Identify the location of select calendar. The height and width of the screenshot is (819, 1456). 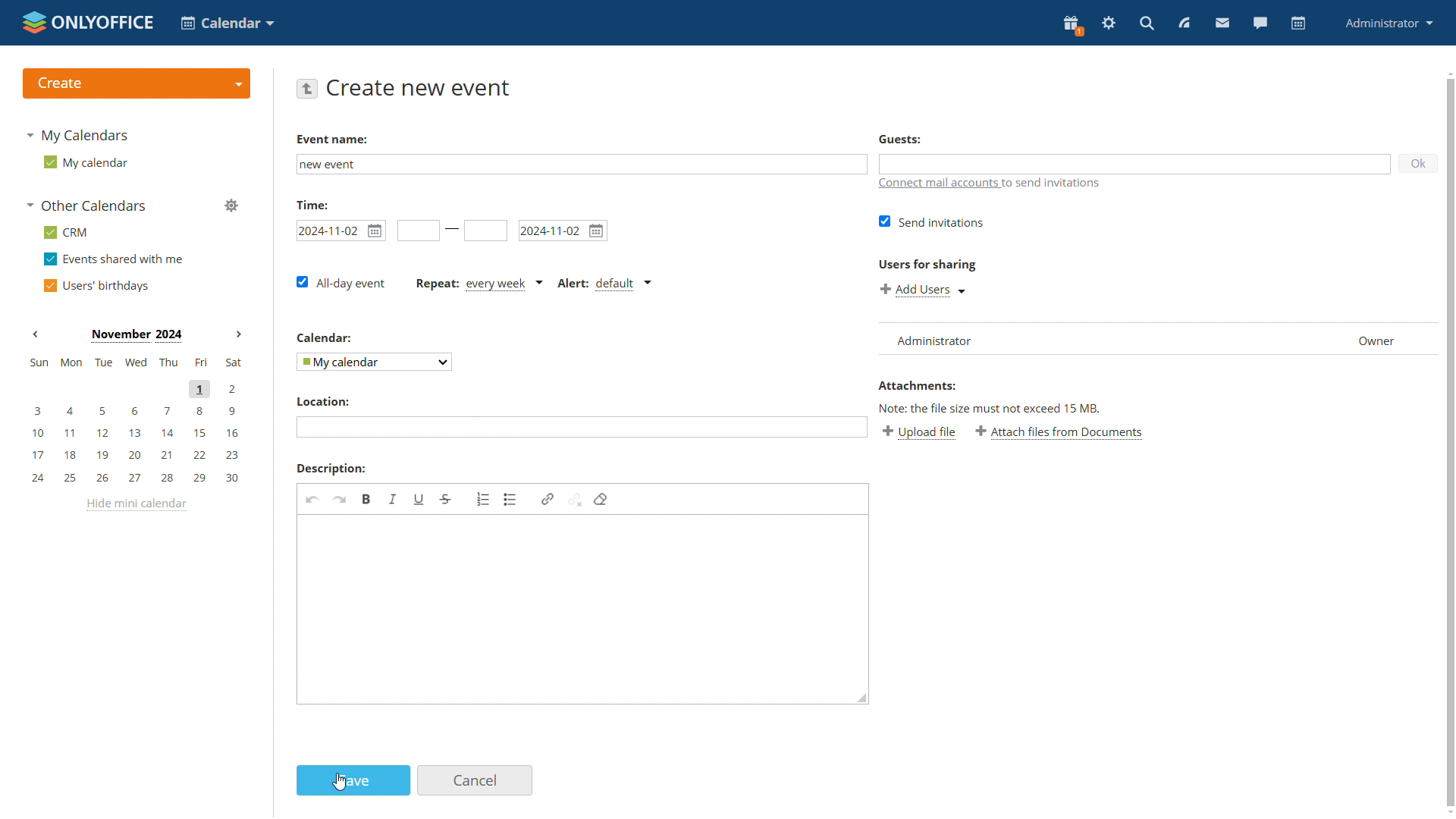
(372, 361).